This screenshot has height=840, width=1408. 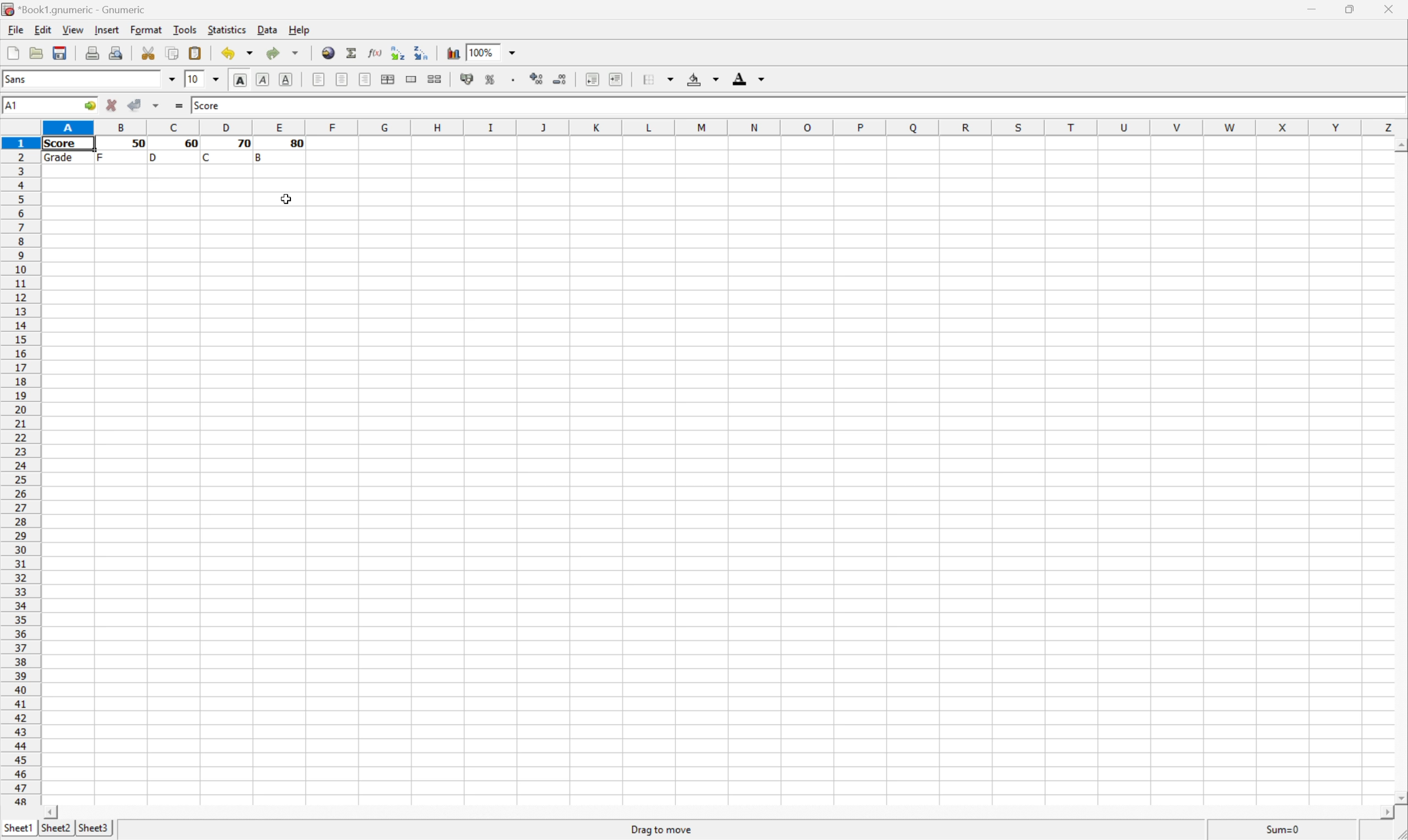 What do you see at coordinates (12, 51) in the screenshot?
I see `Create a new workbook` at bounding box center [12, 51].